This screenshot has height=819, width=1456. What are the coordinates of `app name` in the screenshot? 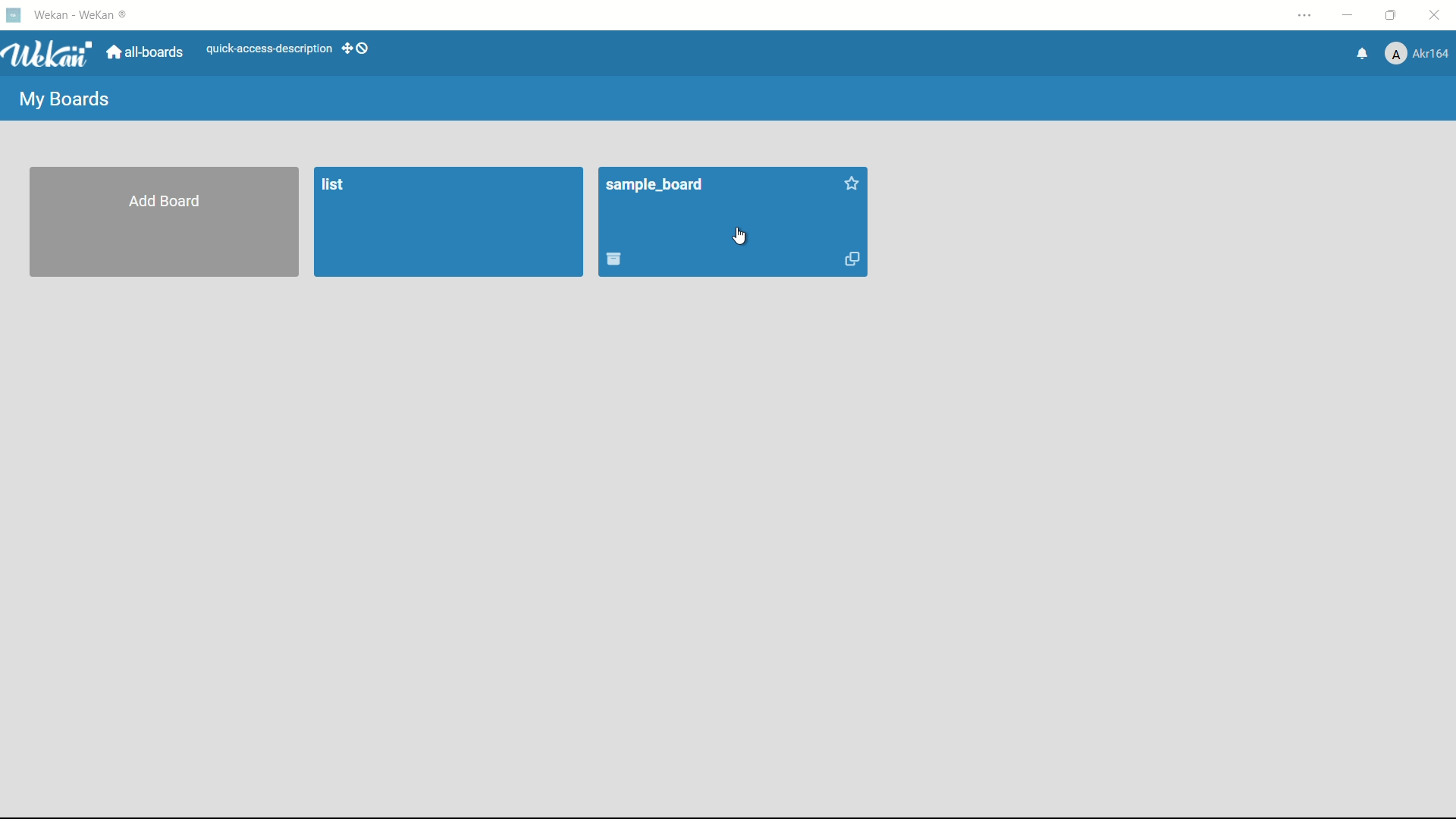 It's located at (80, 15).